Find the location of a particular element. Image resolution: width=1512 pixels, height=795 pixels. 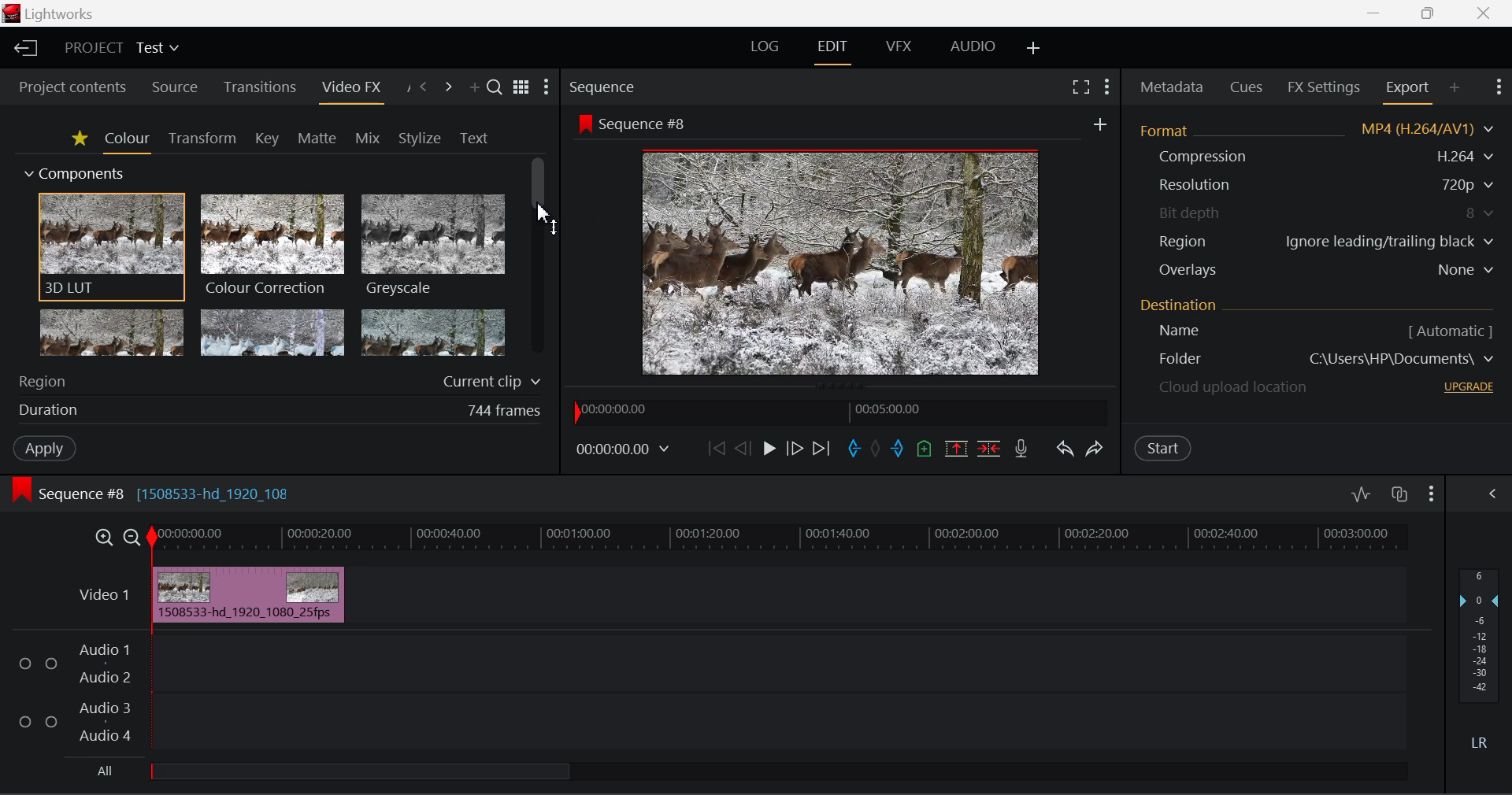

[ Automatic ] is located at coordinates (1451, 331).